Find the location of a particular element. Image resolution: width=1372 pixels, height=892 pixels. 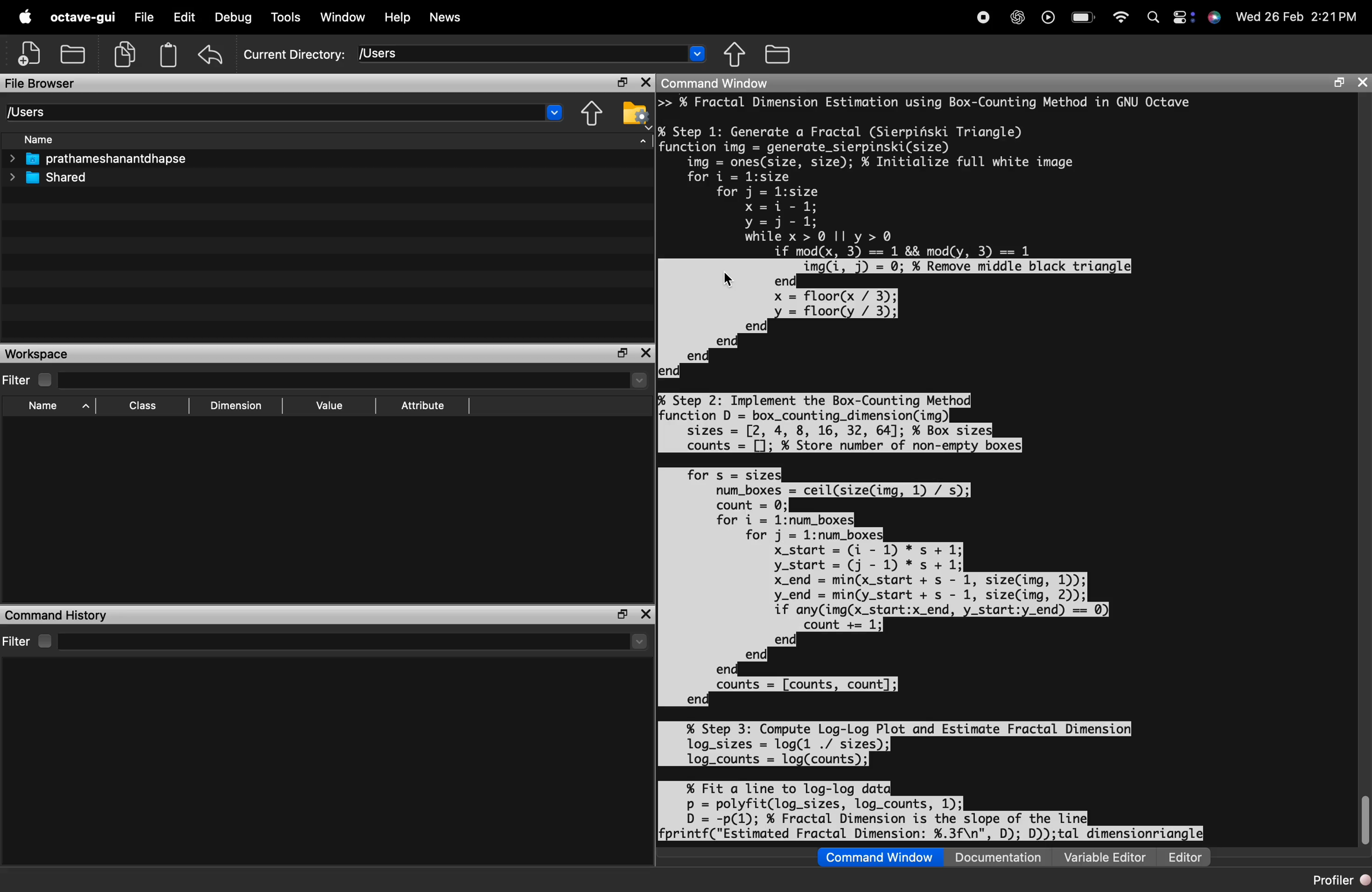

wifi is located at coordinates (1124, 13).